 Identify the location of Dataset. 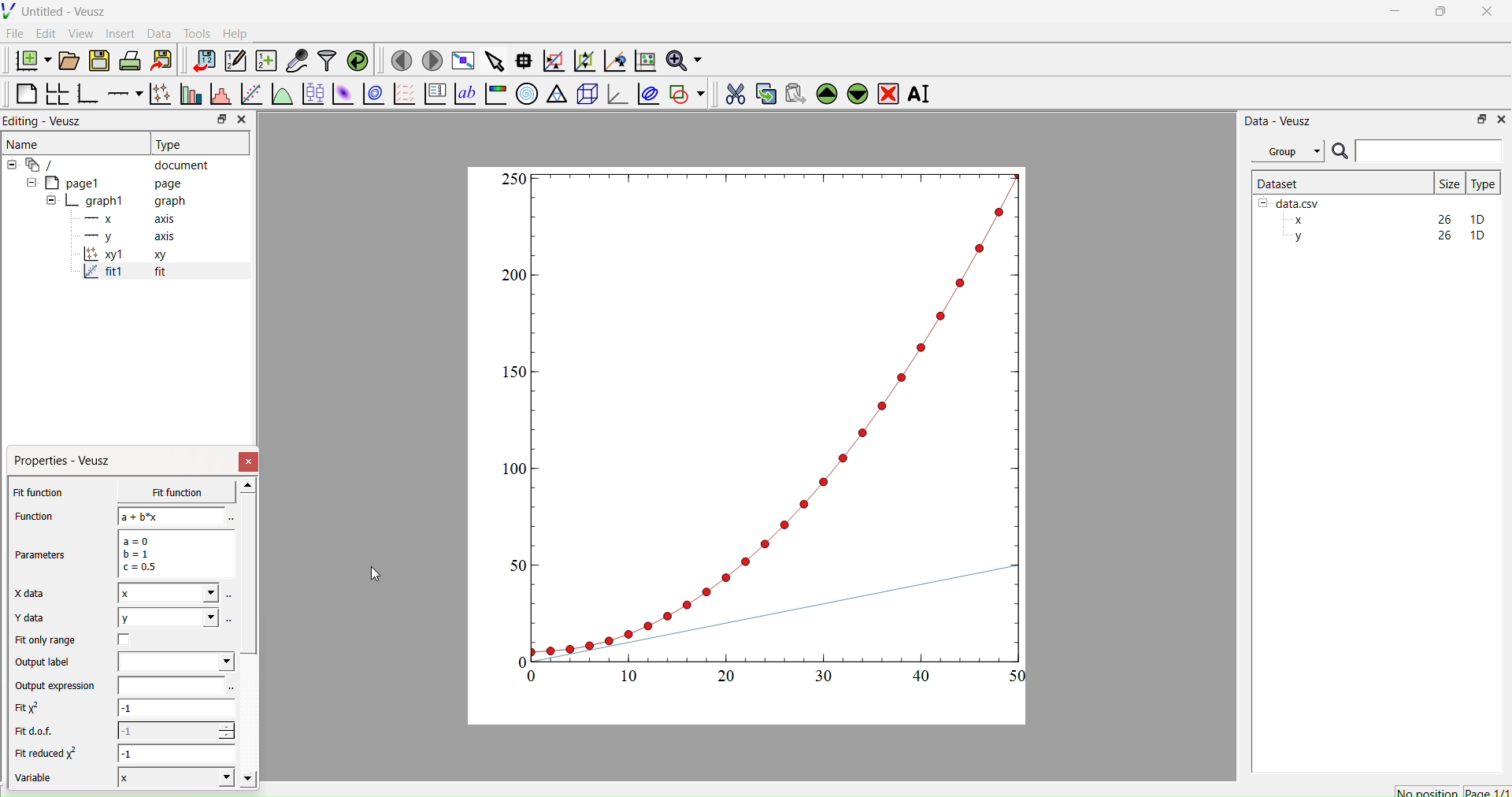
(1279, 183).